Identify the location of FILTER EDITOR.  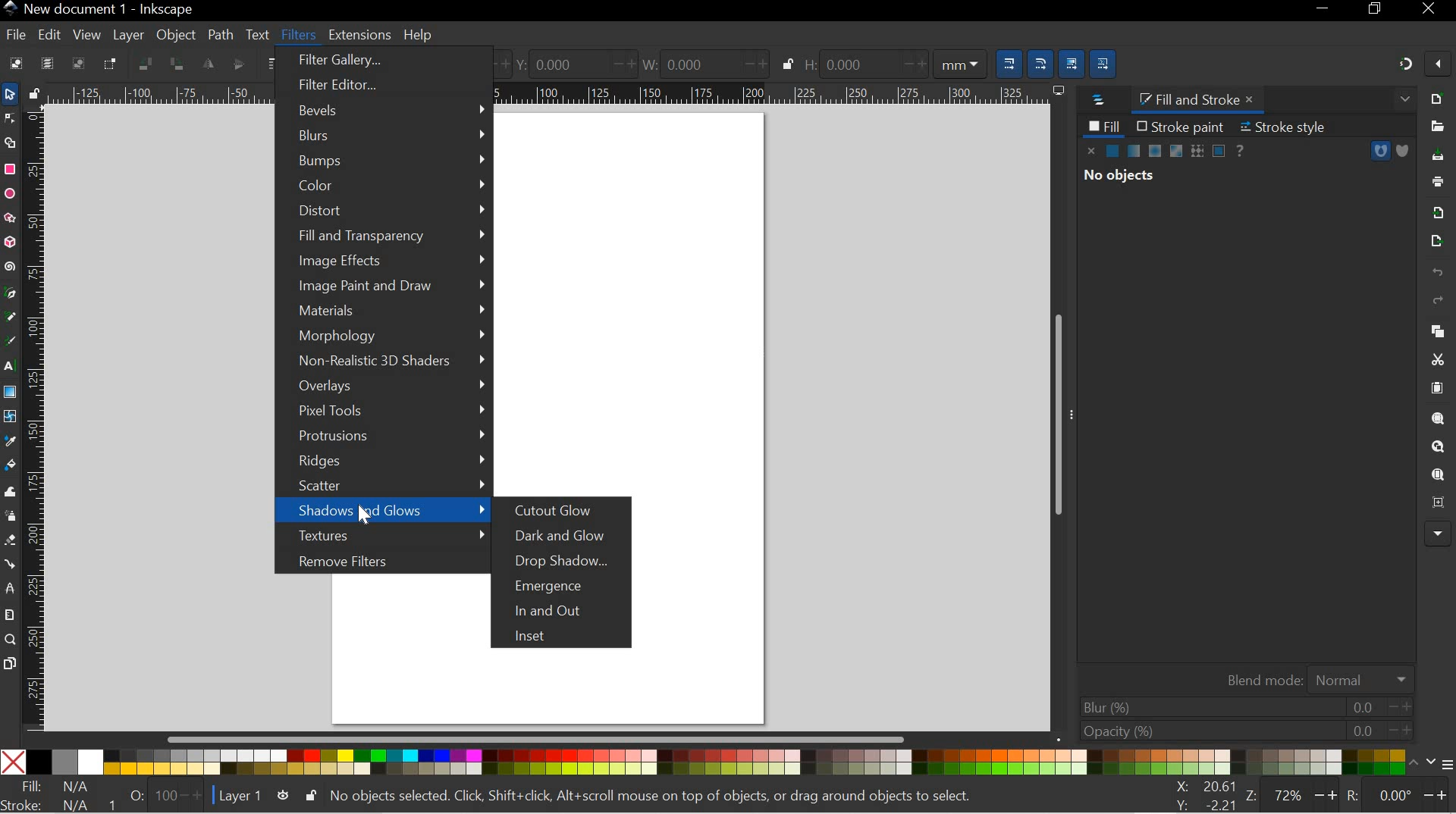
(376, 86).